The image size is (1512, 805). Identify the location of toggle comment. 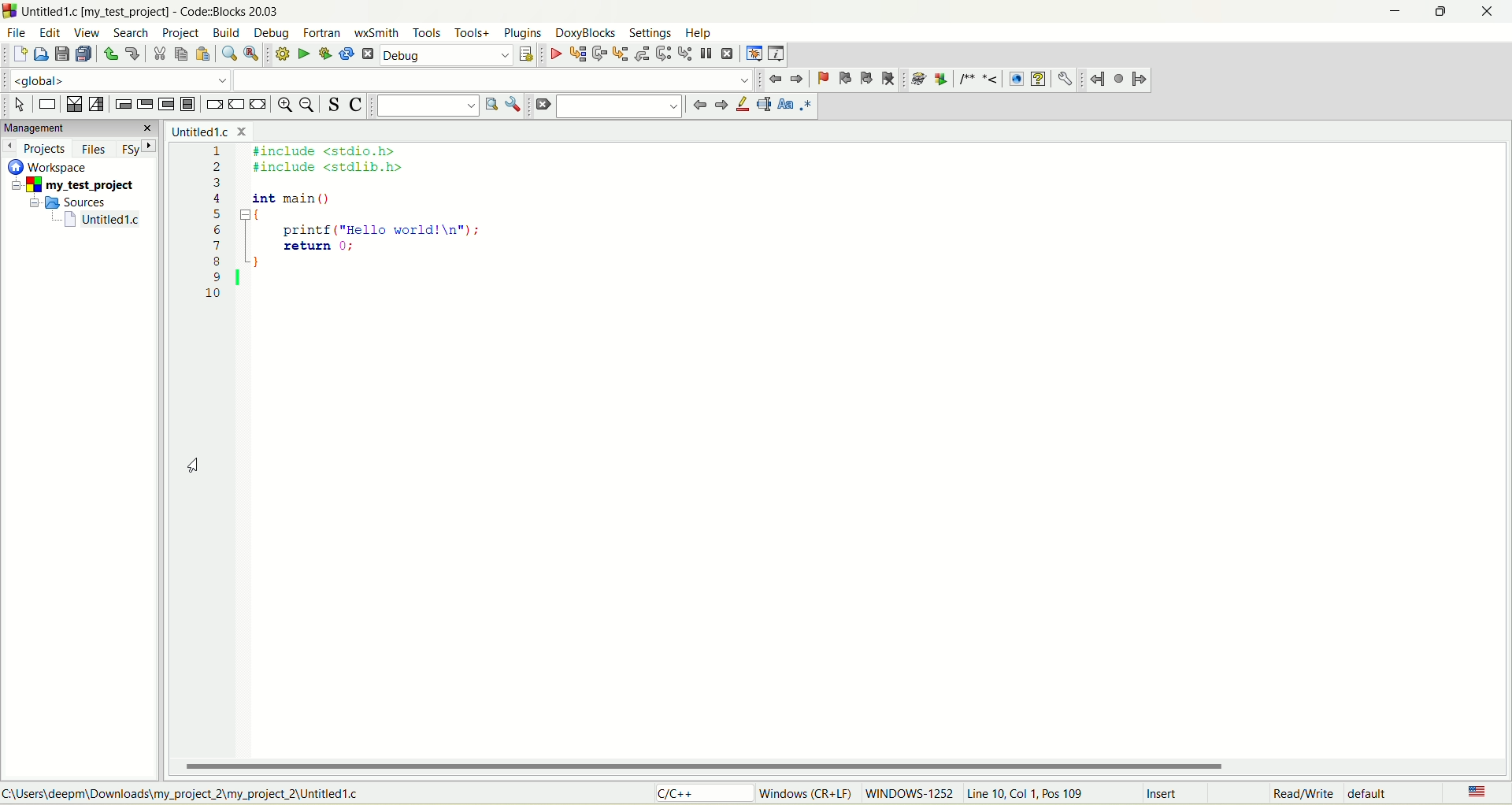
(357, 105).